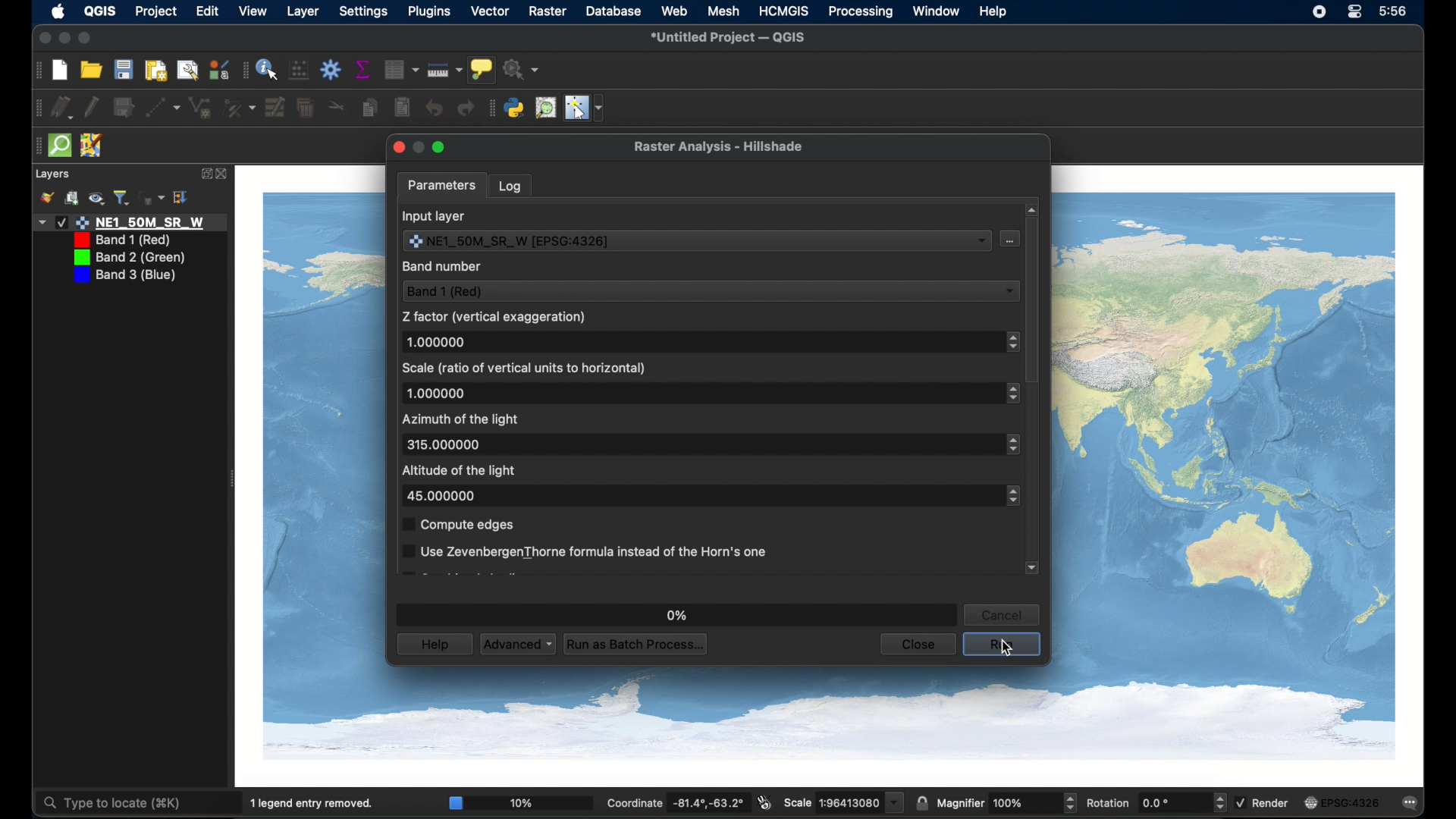 This screenshot has height=819, width=1456. What do you see at coordinates (1262, 802) in the screenshot?
I see `render` at bounding box center [1262, 802].